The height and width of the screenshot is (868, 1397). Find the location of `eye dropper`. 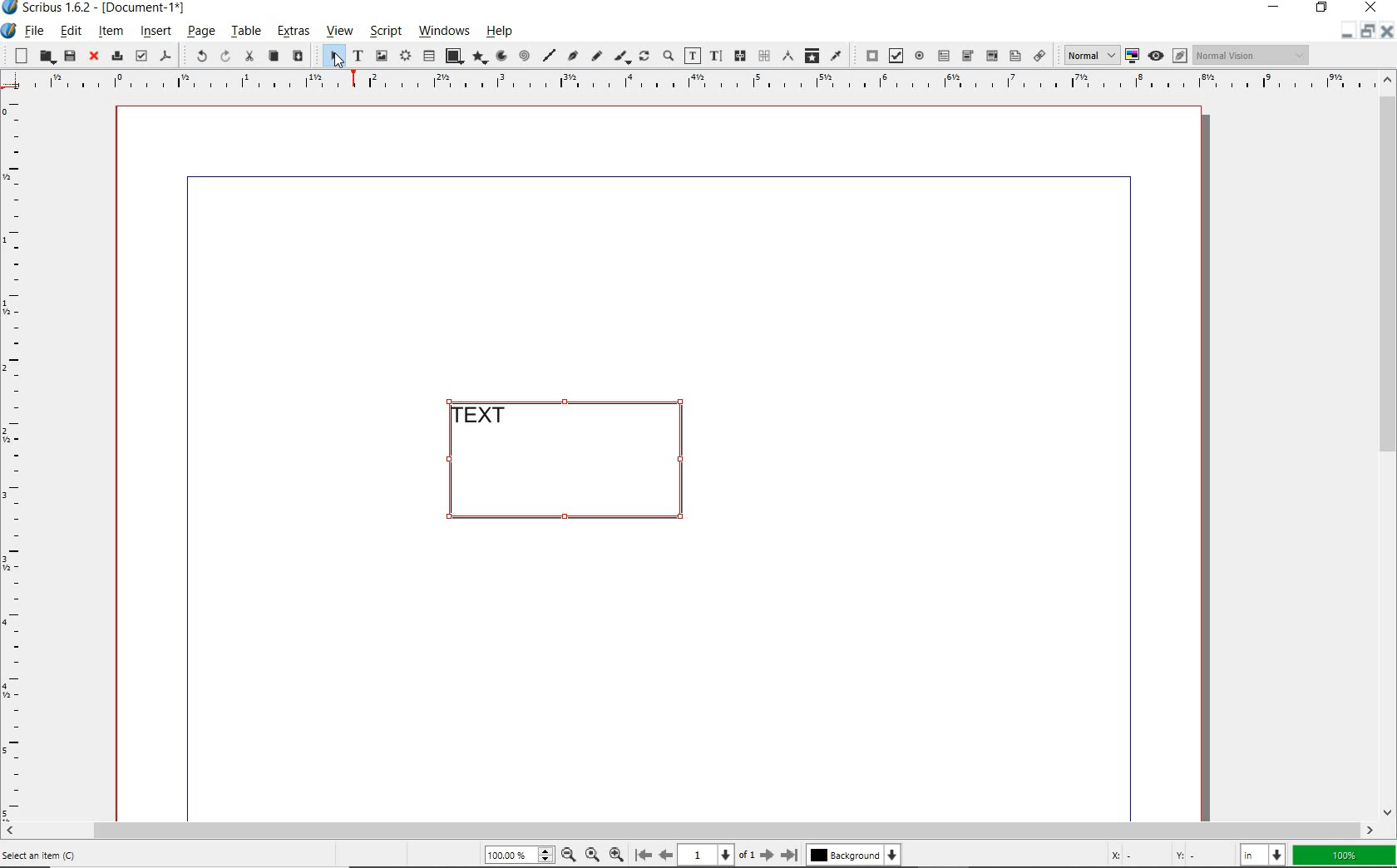

eye dropper is located at coordinates (836, 55).